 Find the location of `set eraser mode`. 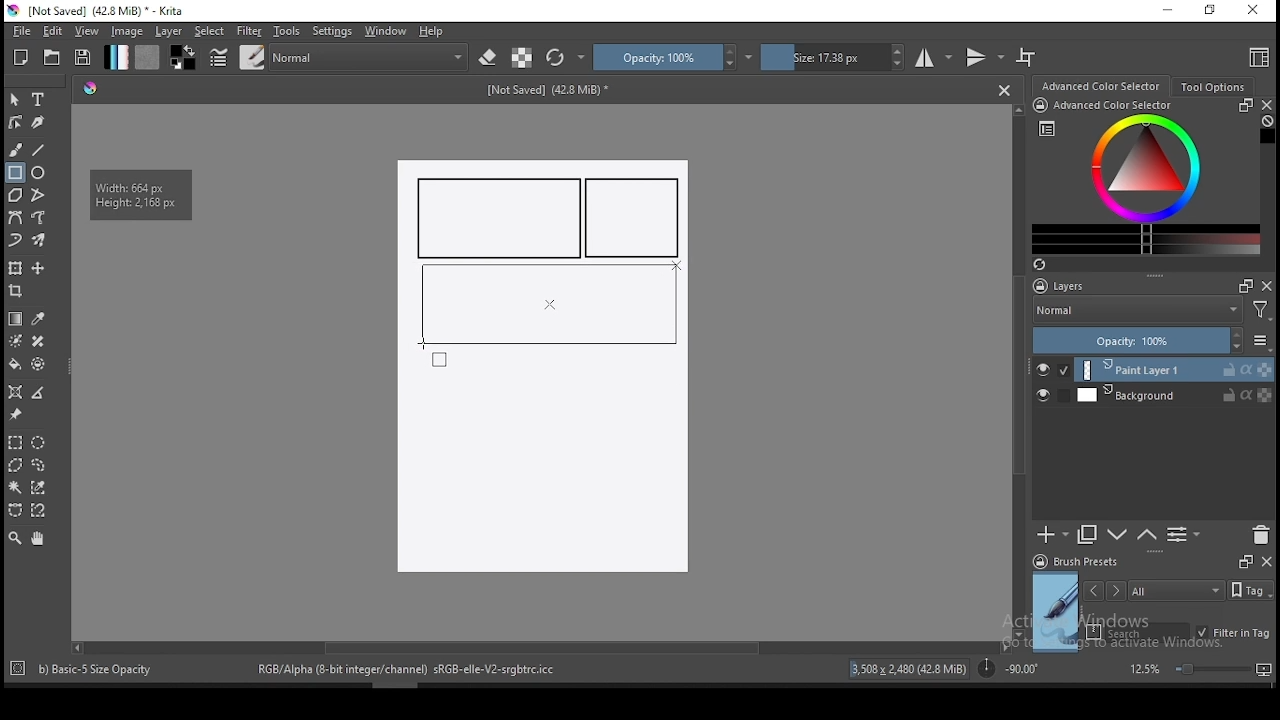

set eraser mode is located at coordinates (490, 58).